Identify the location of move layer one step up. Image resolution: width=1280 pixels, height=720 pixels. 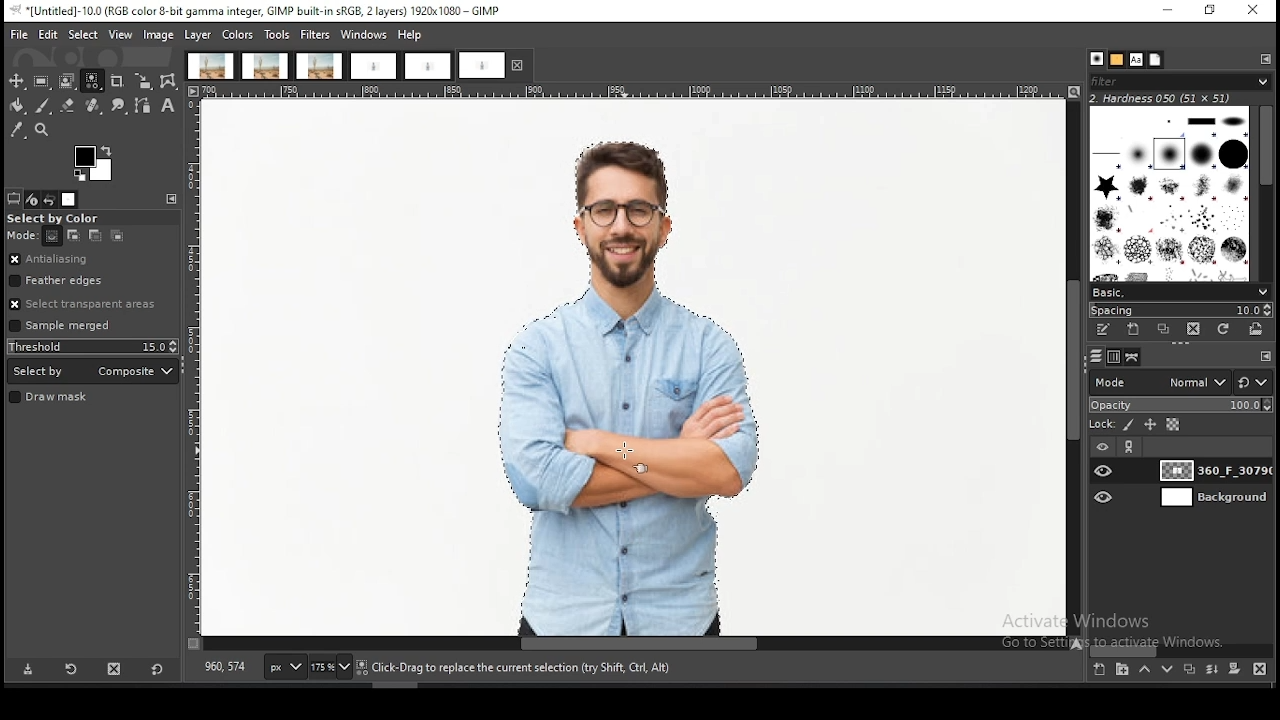
(1144, 669).